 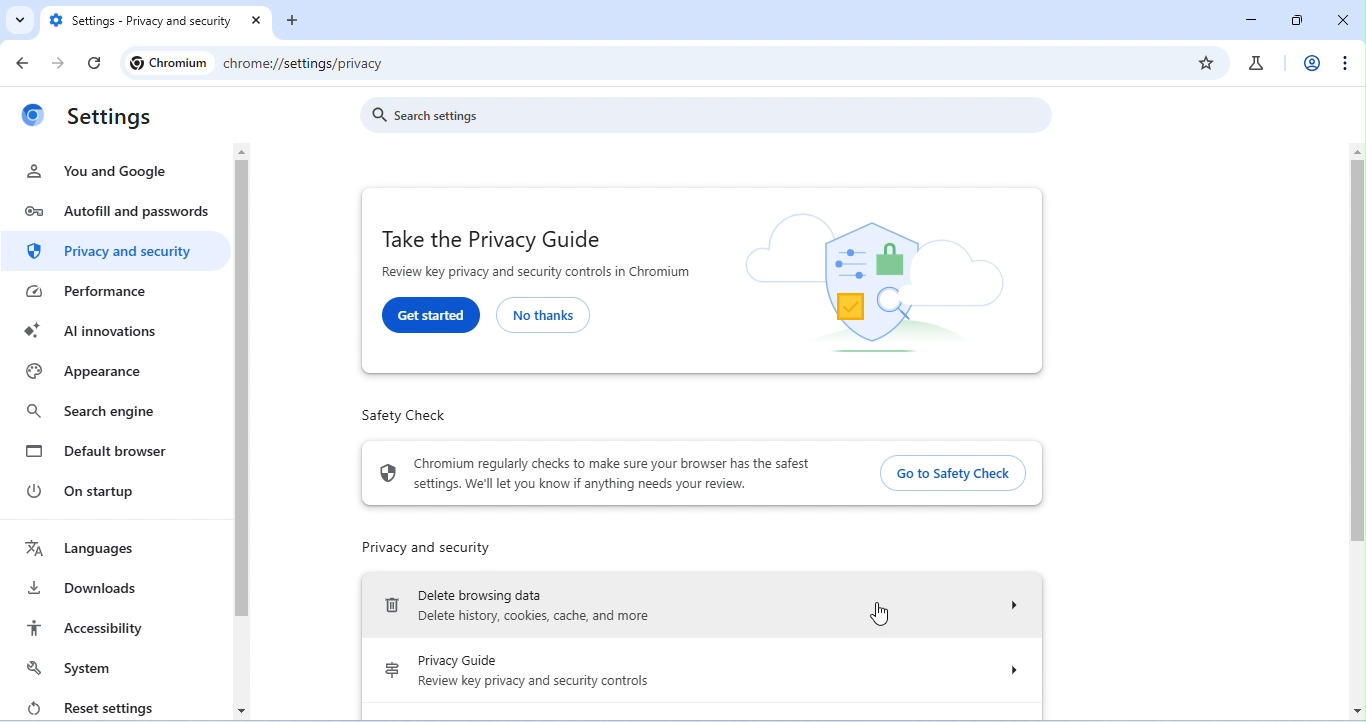 What do you see at coordinates (116, 253) in the screenshot?
I see `privacy and secuirity` at bounding box center [116, 253].